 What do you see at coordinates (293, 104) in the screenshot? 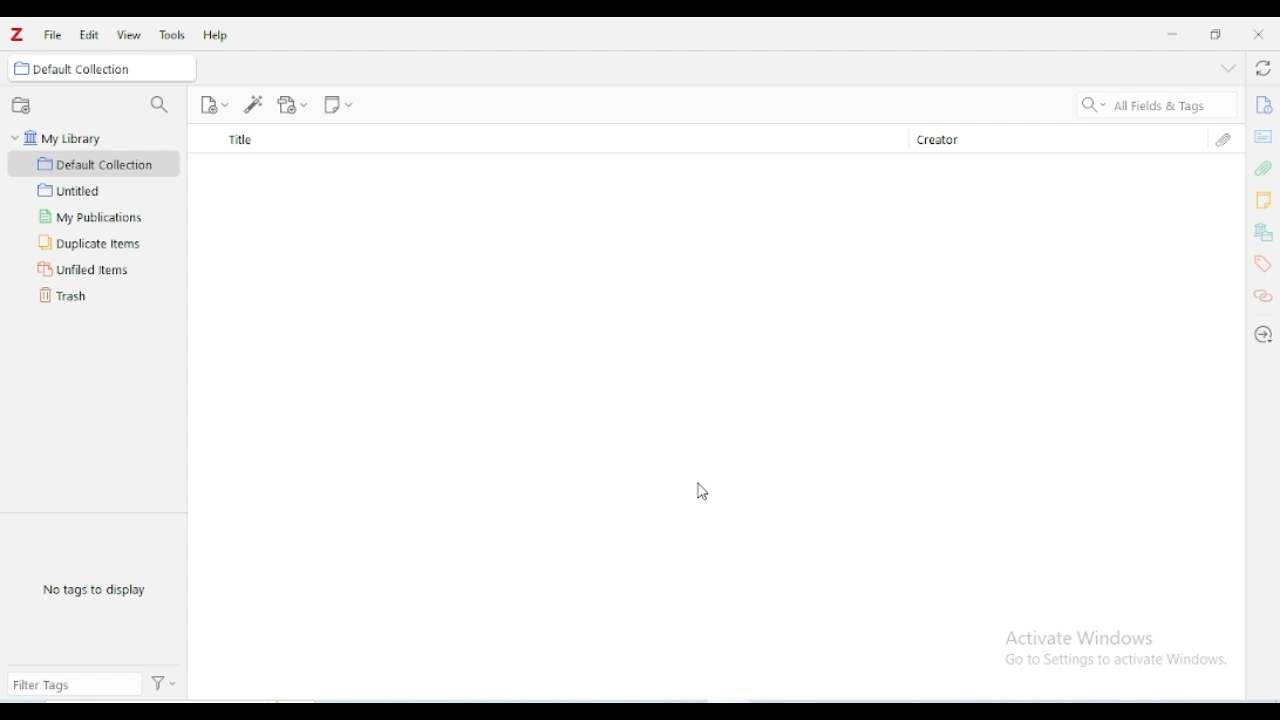
I see `add attachment` at bounding box center [293, 104].